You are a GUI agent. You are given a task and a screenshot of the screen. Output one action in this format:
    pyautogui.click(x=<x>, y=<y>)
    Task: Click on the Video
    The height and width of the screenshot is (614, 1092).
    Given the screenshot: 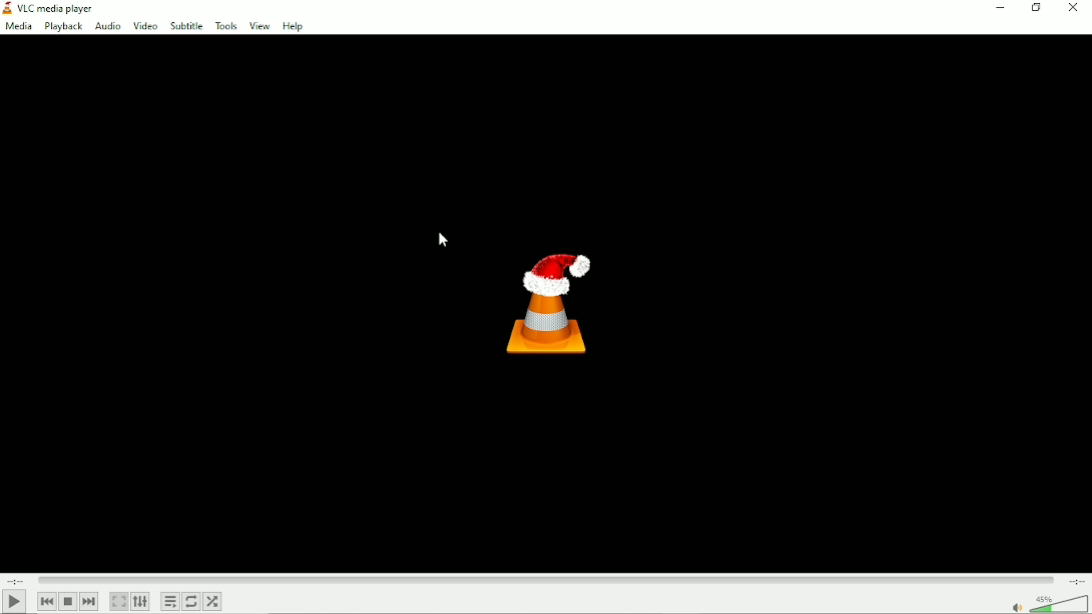 What is the action you would take?
    pyautogui.click(x=145, y=25)
    